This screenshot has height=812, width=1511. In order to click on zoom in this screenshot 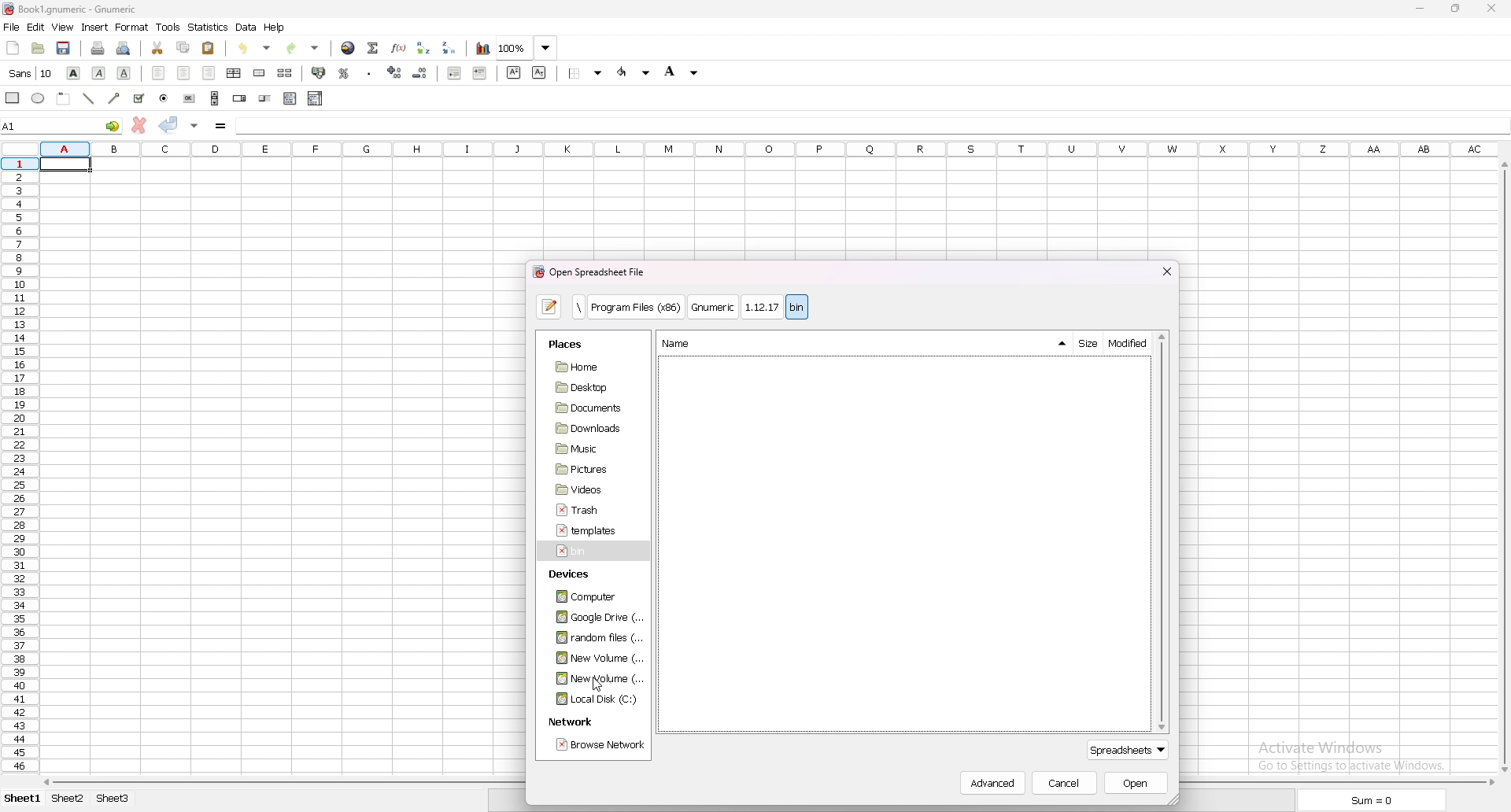, I will do `click(526, 49)`.